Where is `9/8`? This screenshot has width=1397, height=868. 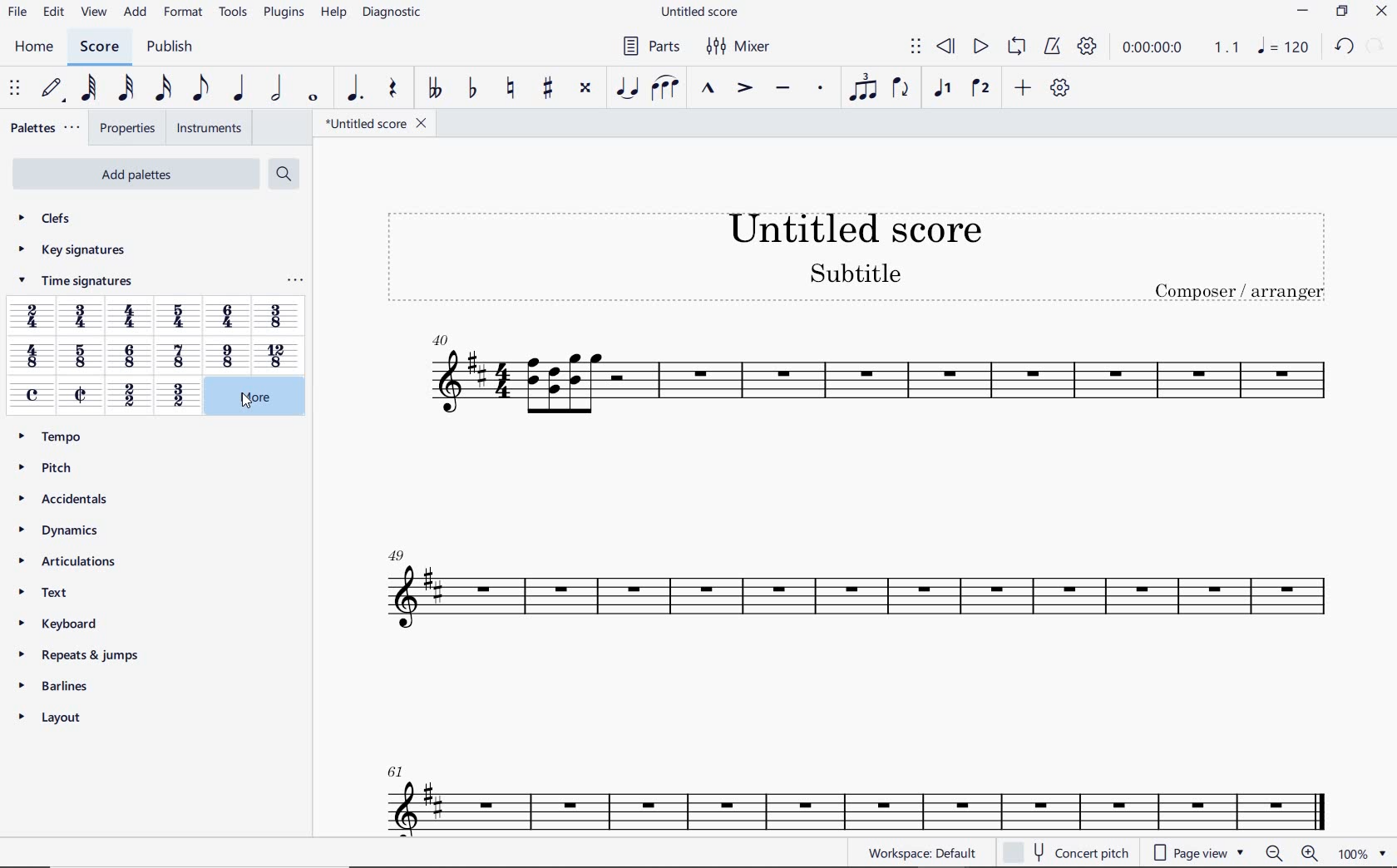 9/8 is located at coordinates (226, 356).